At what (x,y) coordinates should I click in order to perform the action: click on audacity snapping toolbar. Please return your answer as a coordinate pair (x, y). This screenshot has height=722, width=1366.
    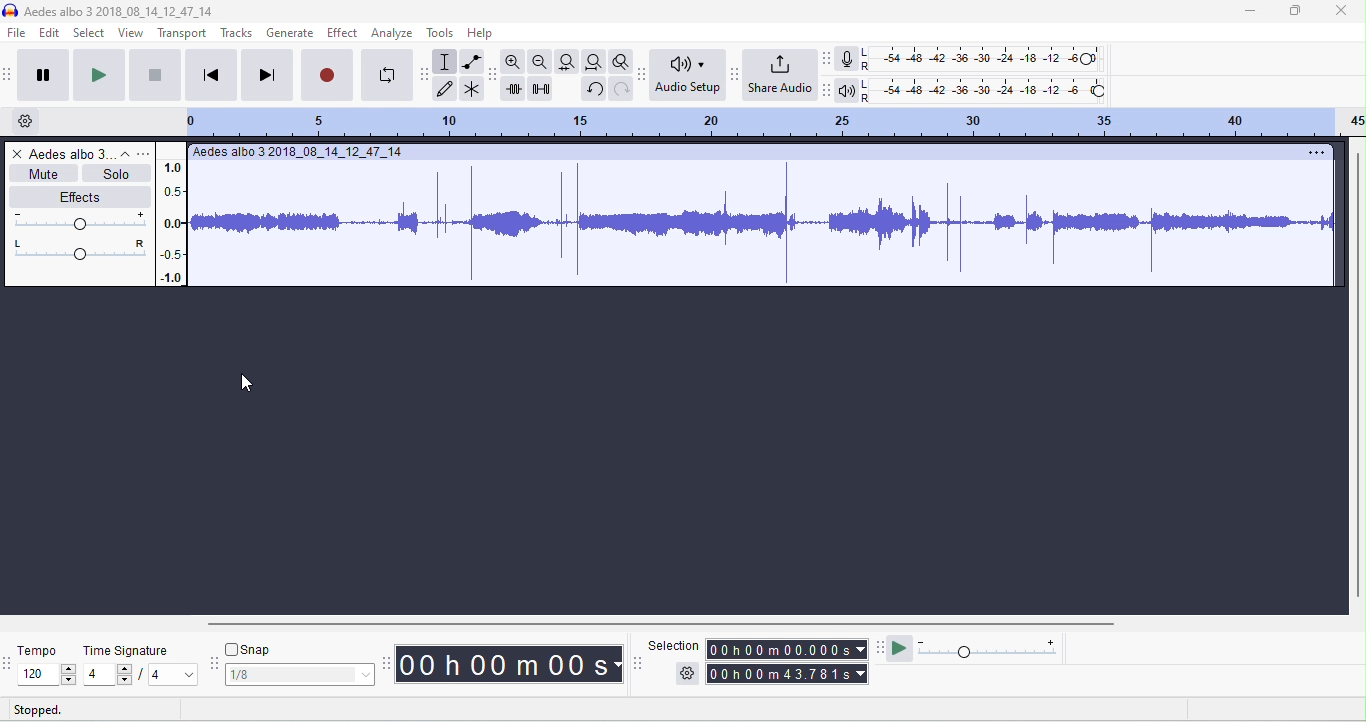
    Looking at the image, I should click on (215, 663).